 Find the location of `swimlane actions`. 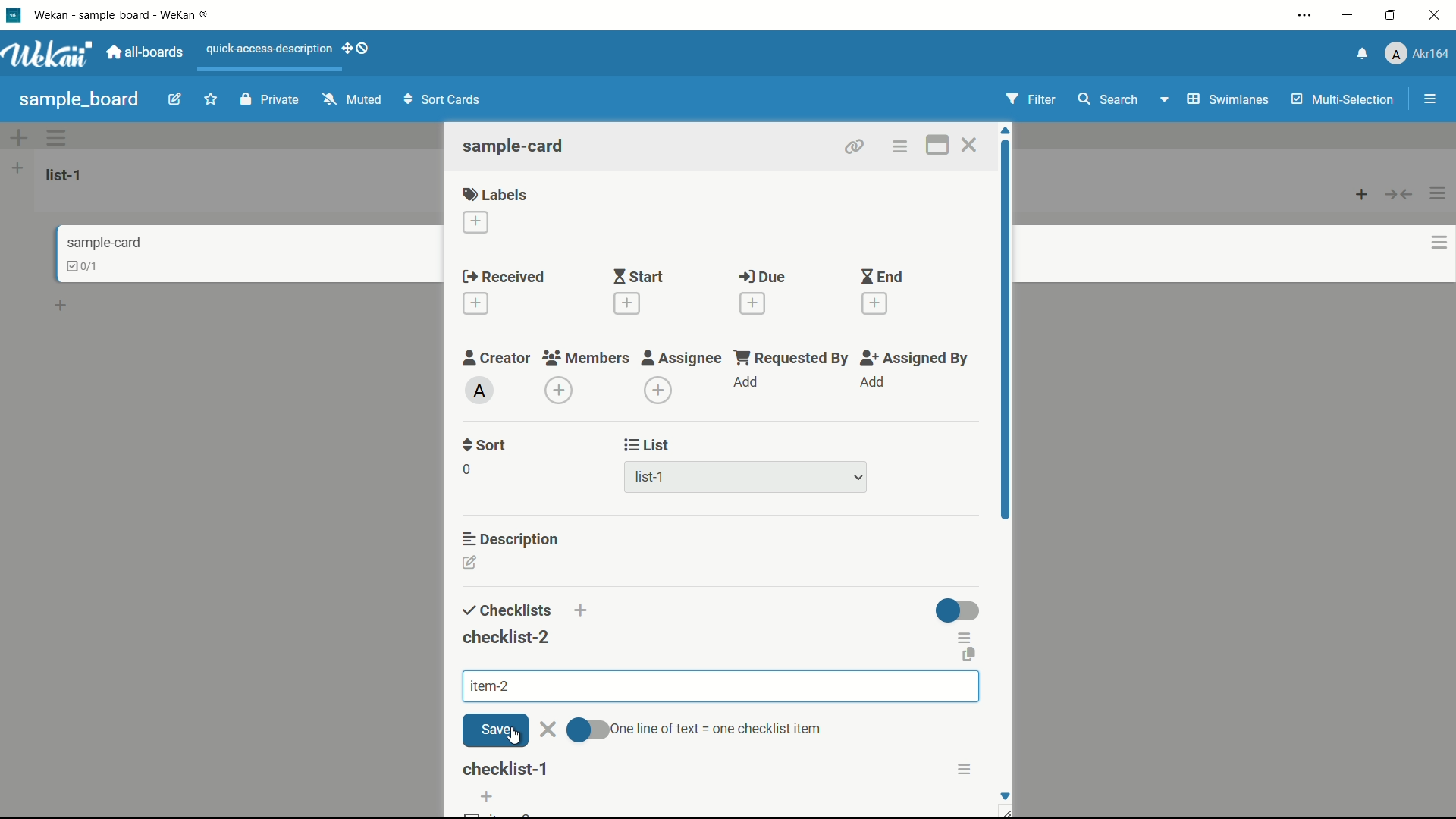

swimlane actions is located at coordinates (58, 137).